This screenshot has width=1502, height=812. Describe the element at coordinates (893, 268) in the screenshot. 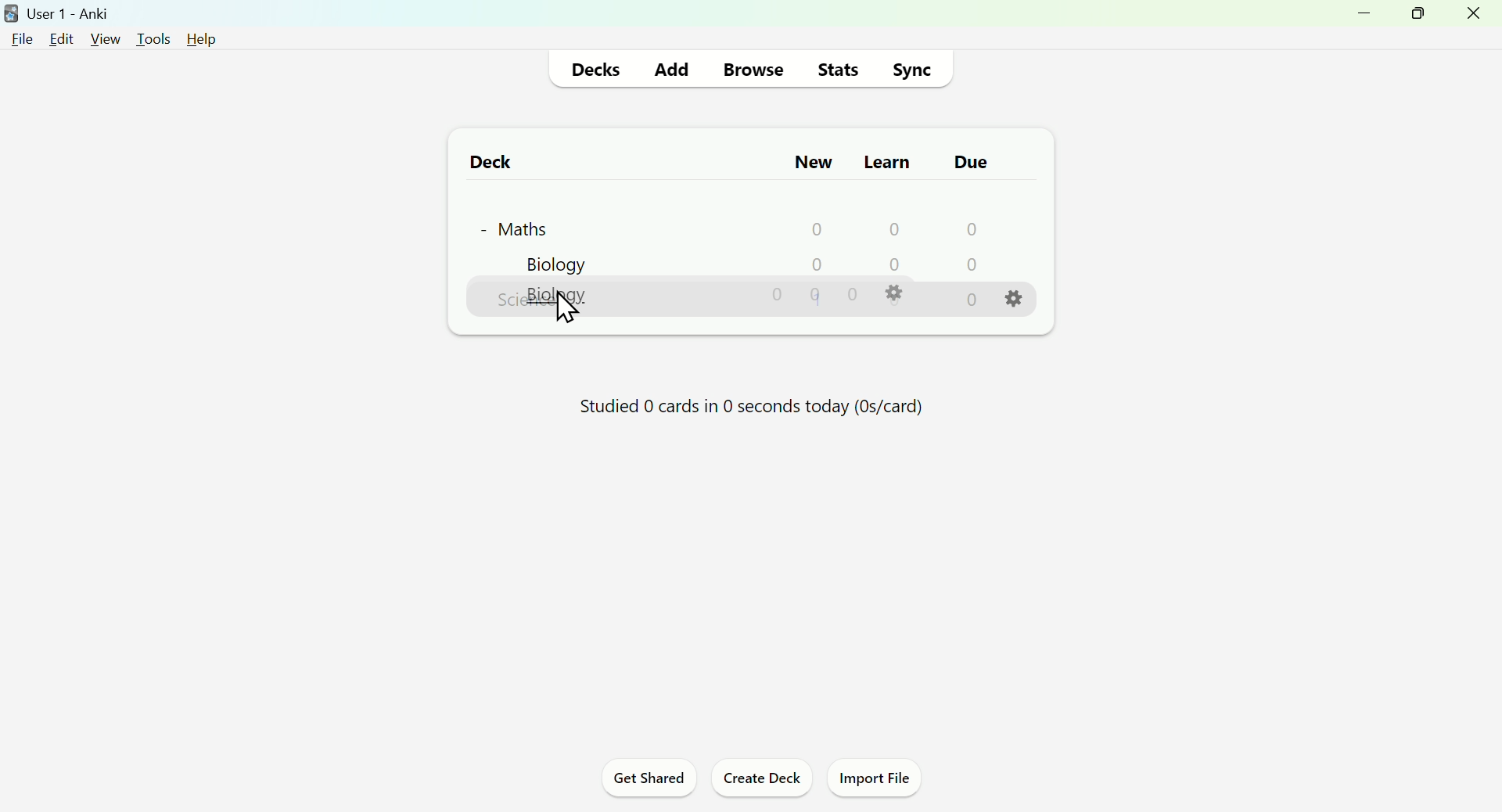

I see `0` at that location.